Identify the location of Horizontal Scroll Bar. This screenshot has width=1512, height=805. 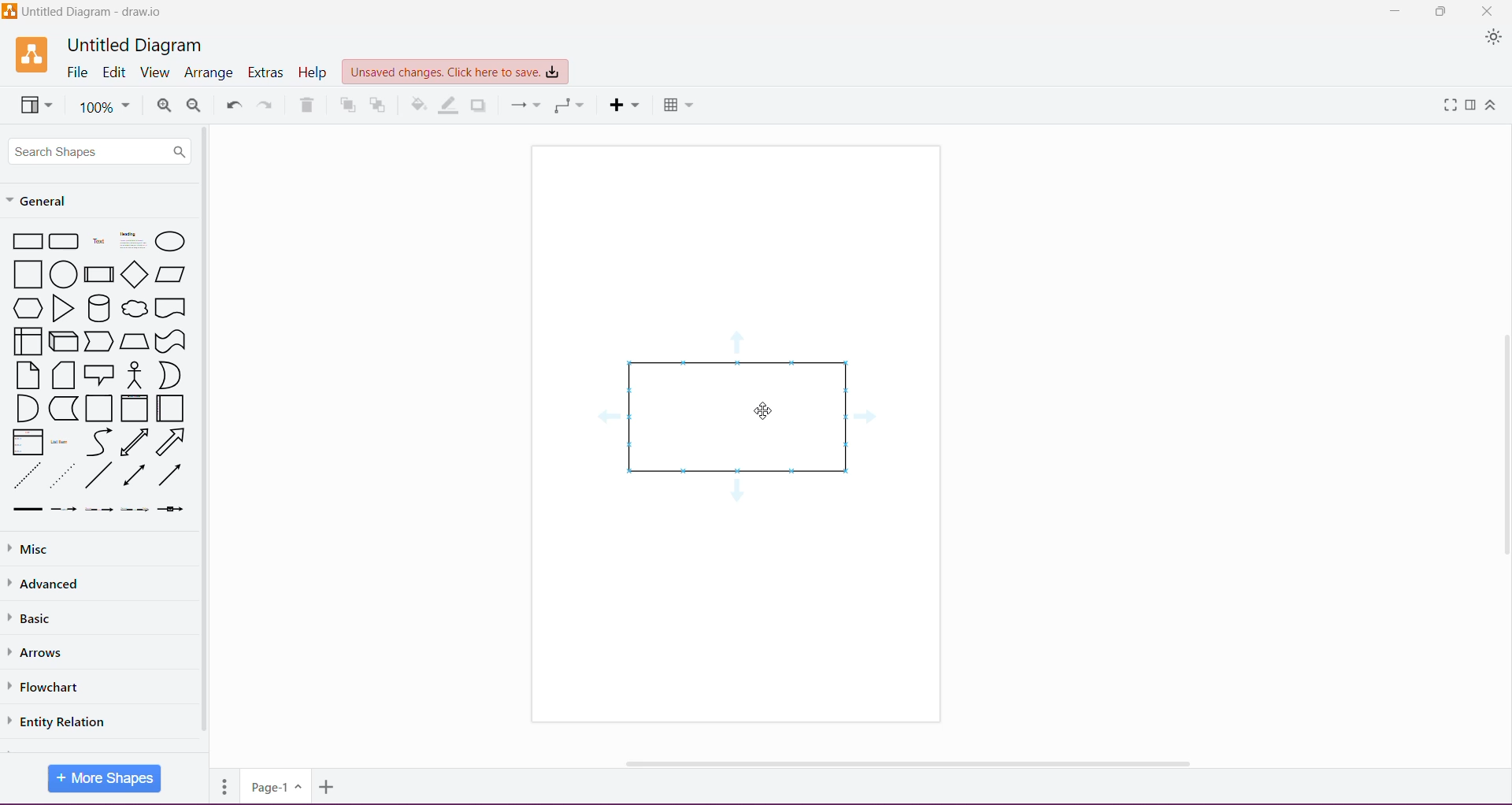
(918, 763).